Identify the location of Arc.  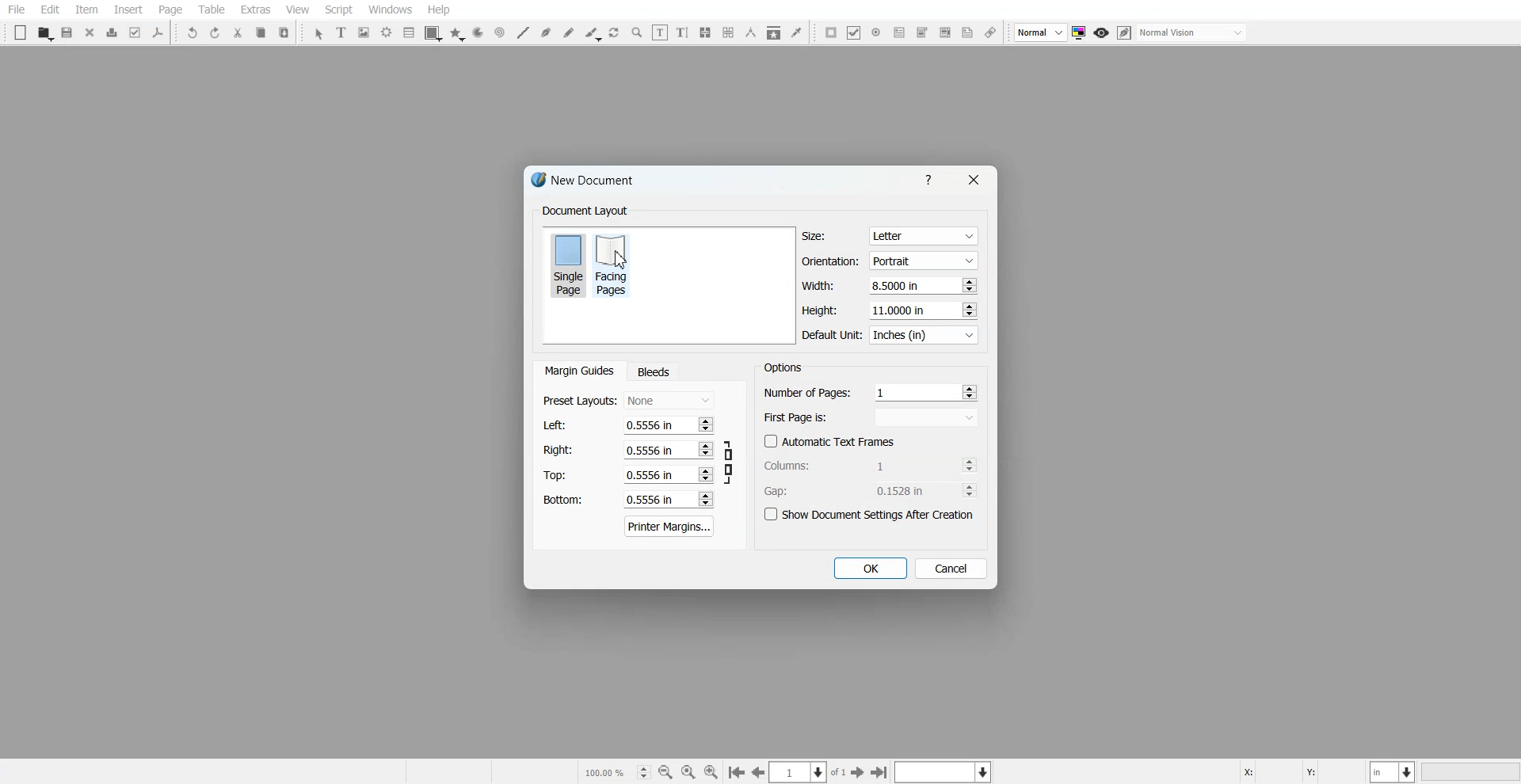
(478, 33).